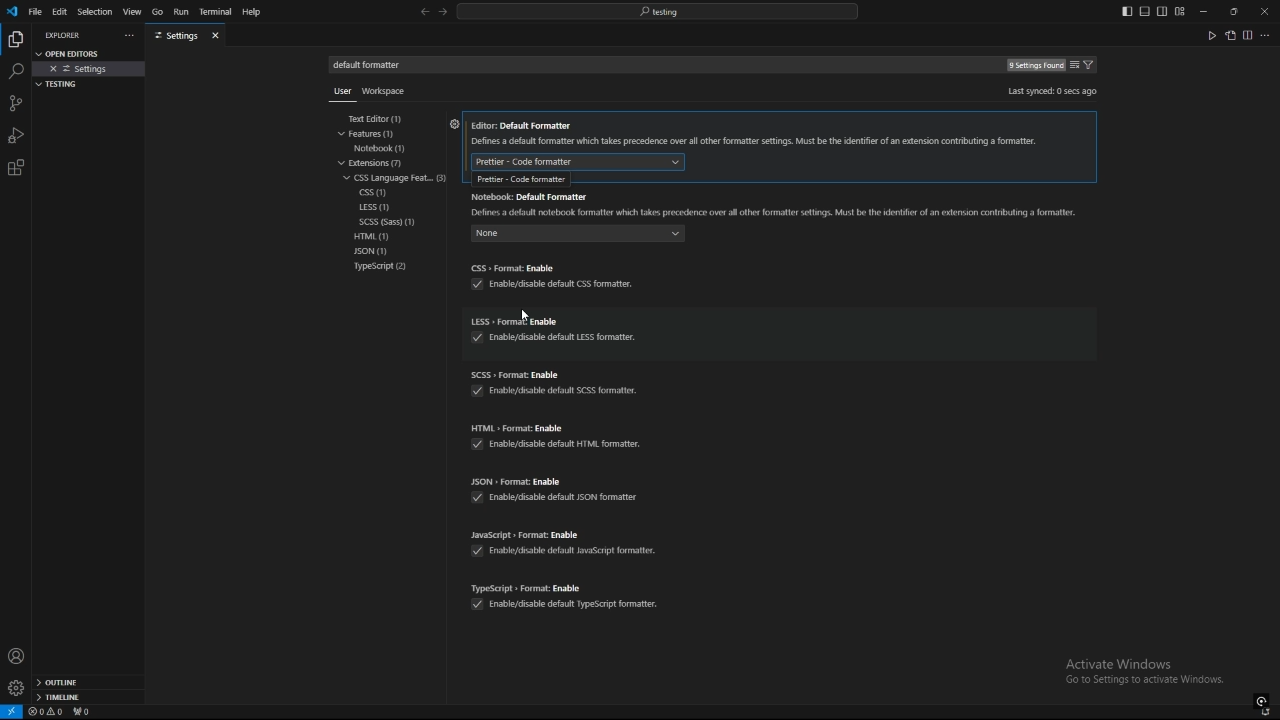 The height and width of the screenshot is (720, 1280). What do you see at coordinates (35, 11) in the screenshot?
I see `file` at bounding box center [35, 11].